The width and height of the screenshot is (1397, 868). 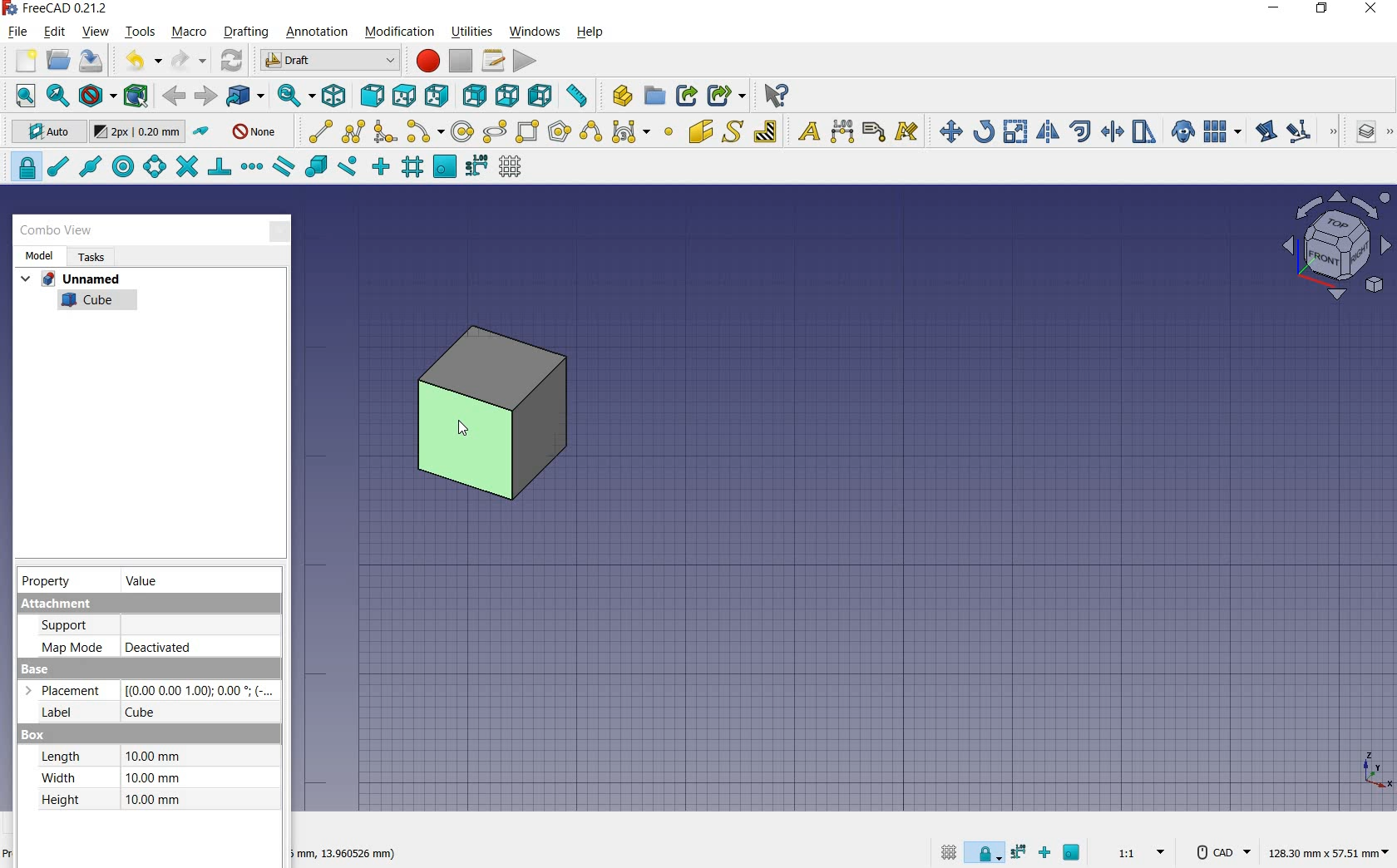 What do you see at coordinates (1369, 10) in the screenshot?
I see `close` at bounding box center [1369, 10].